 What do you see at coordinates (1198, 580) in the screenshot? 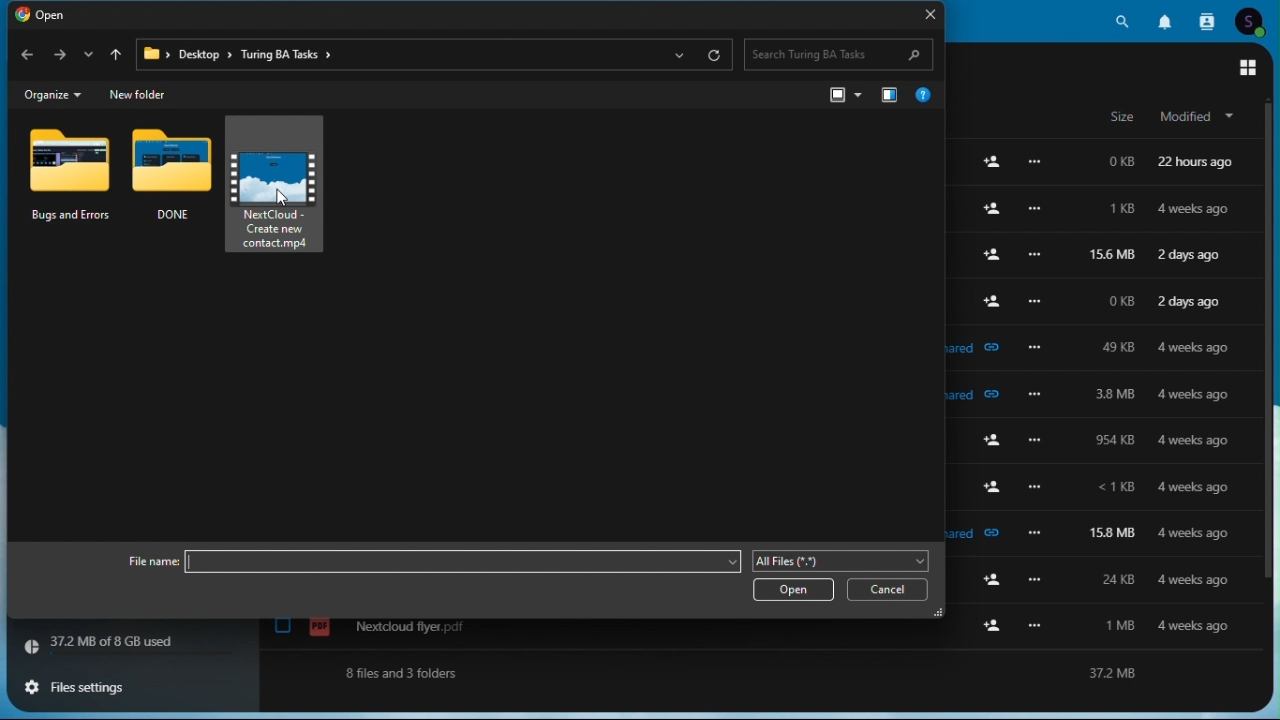
I see `4 weeks ago` at bounding box center [1198, 580].